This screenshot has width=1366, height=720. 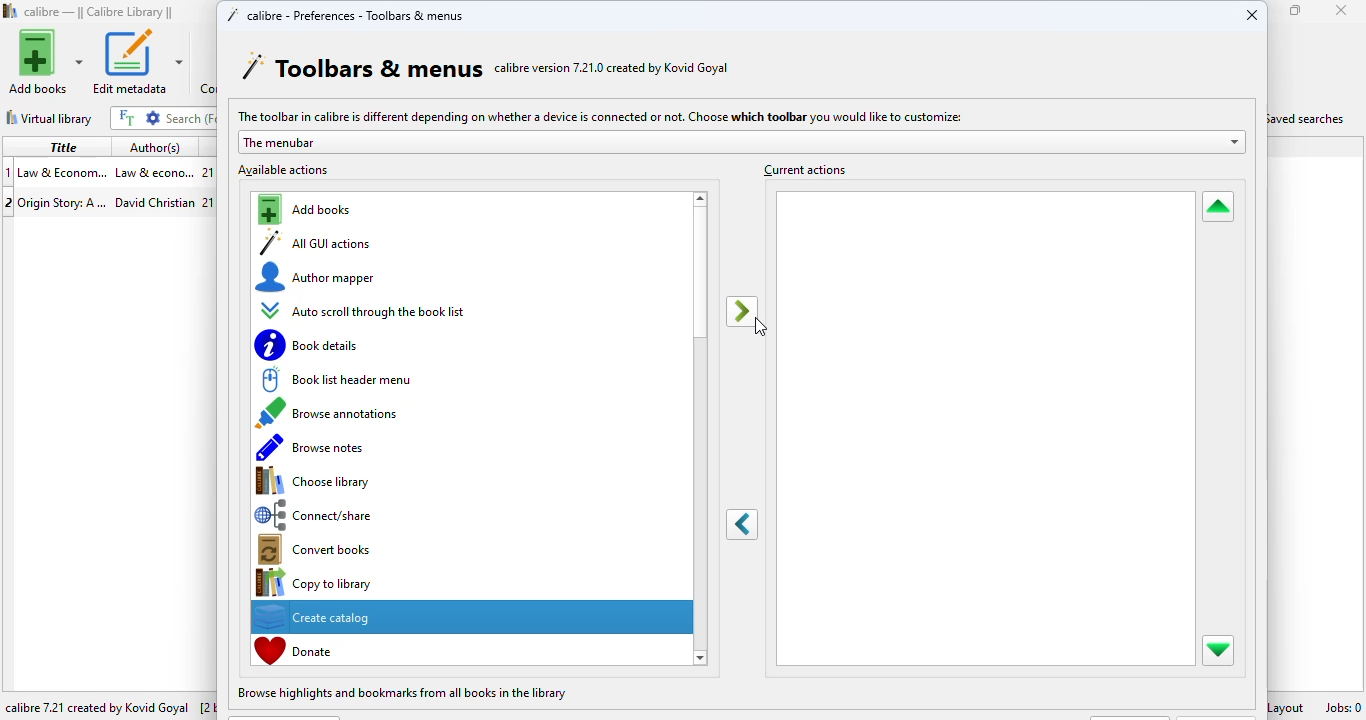 I want to click on close, so click(x=1341, y=10).